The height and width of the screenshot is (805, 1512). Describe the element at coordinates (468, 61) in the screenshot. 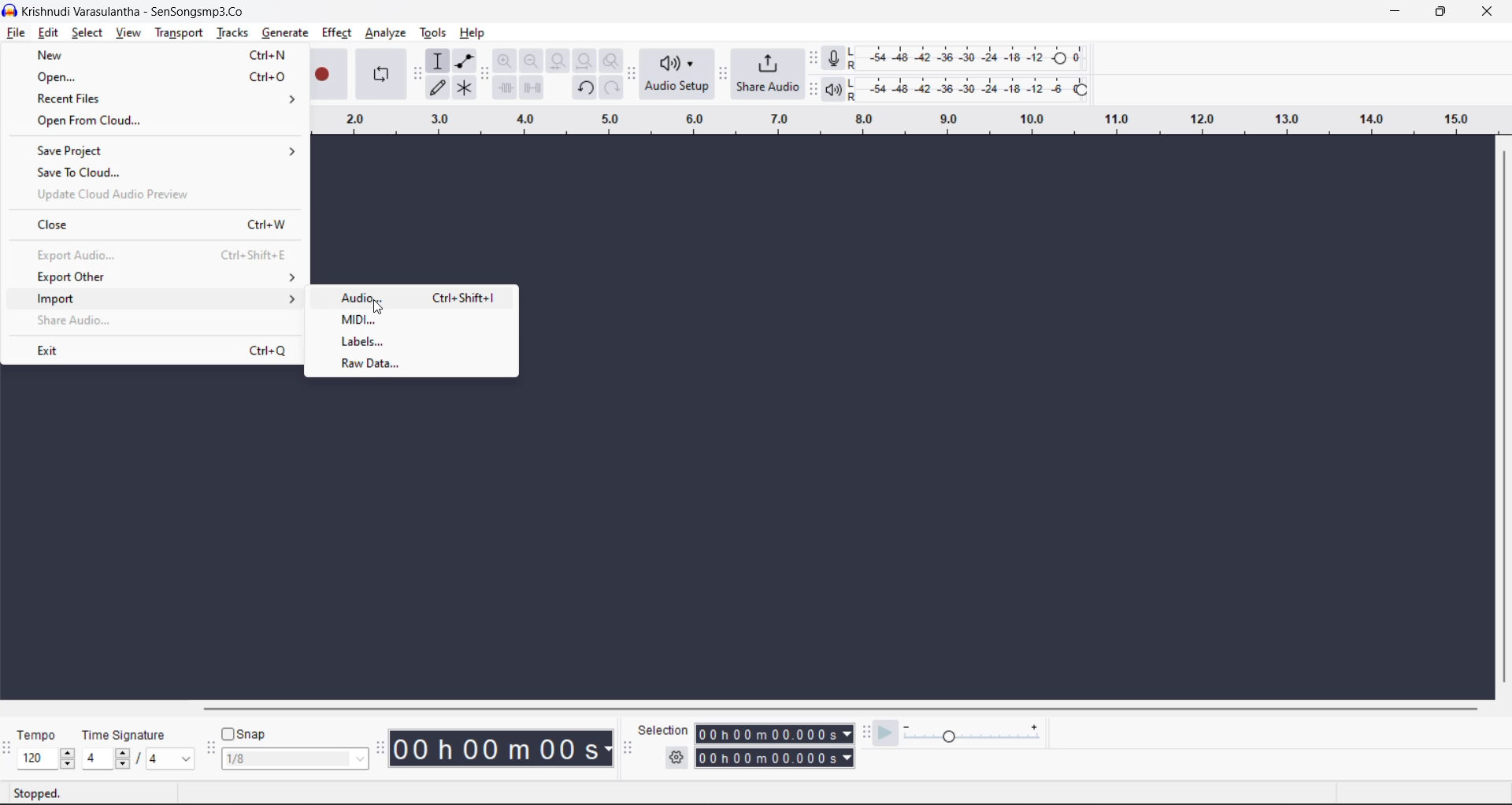

I see `envelope tool` at that location.